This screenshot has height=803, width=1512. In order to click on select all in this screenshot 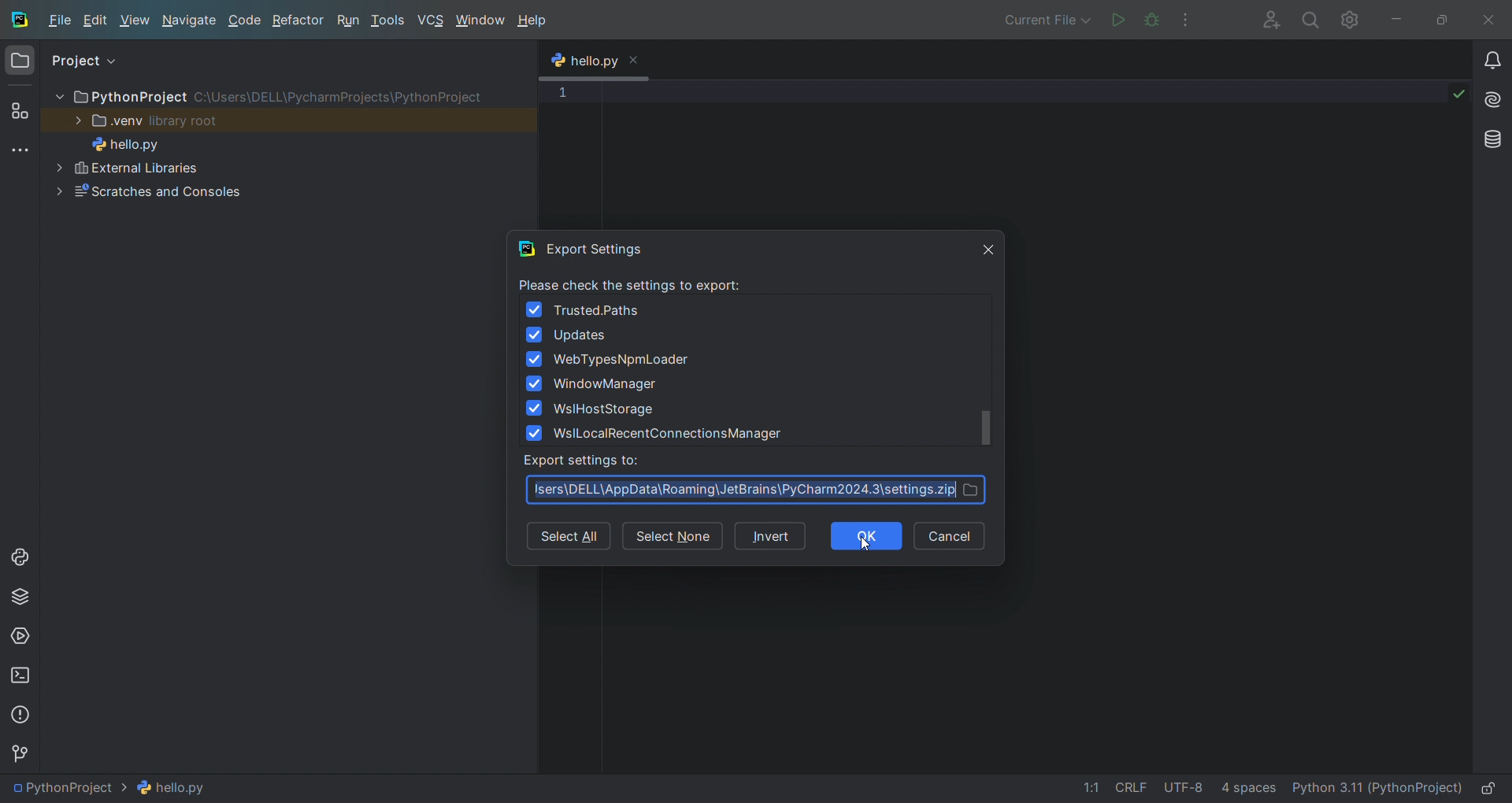, I will do `click(566, 538)`.